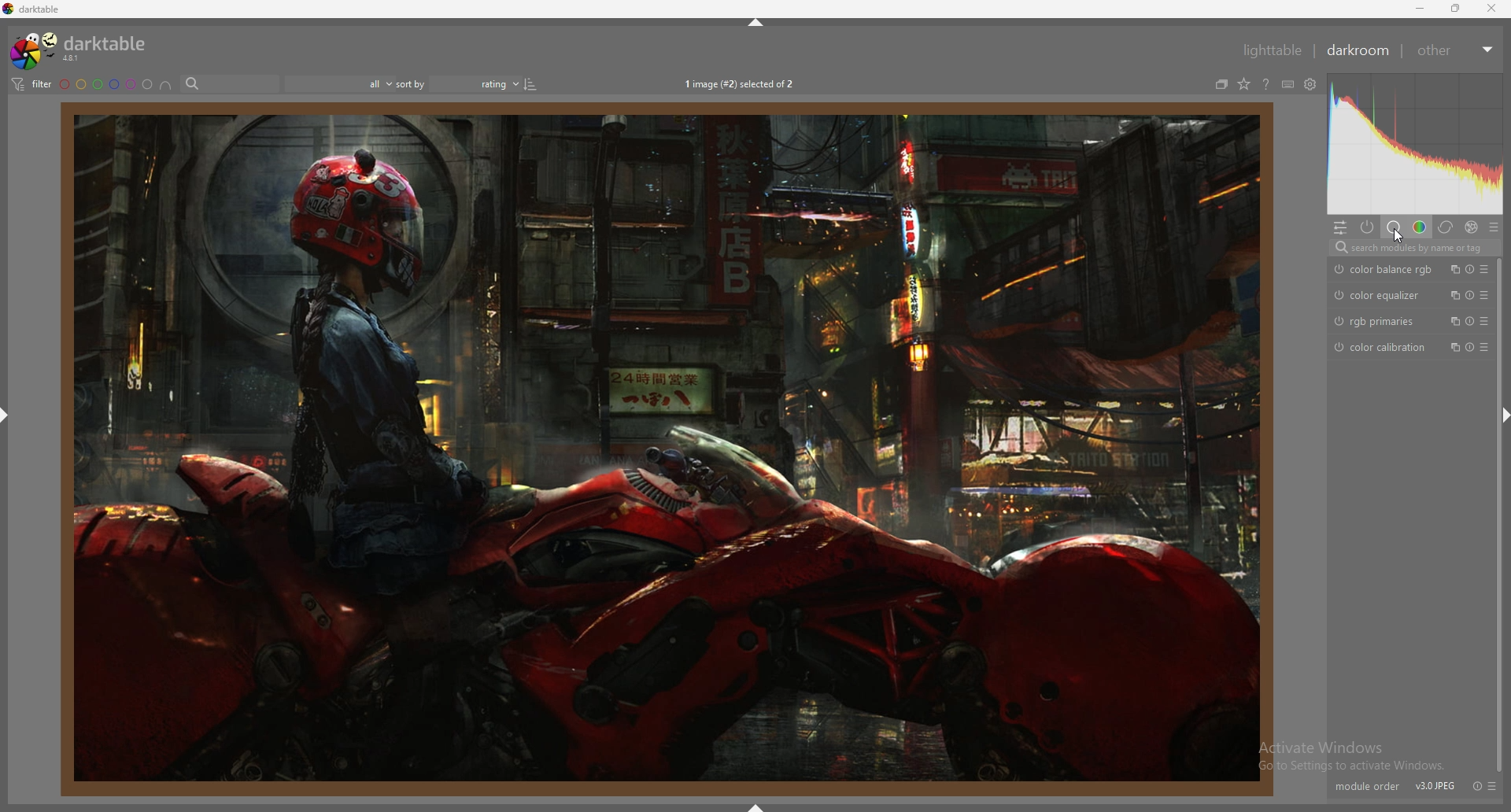 The image size is (1511, 812). Describe the element at coordinates (755, 803) in the screenshot. I see `hide` at that location.